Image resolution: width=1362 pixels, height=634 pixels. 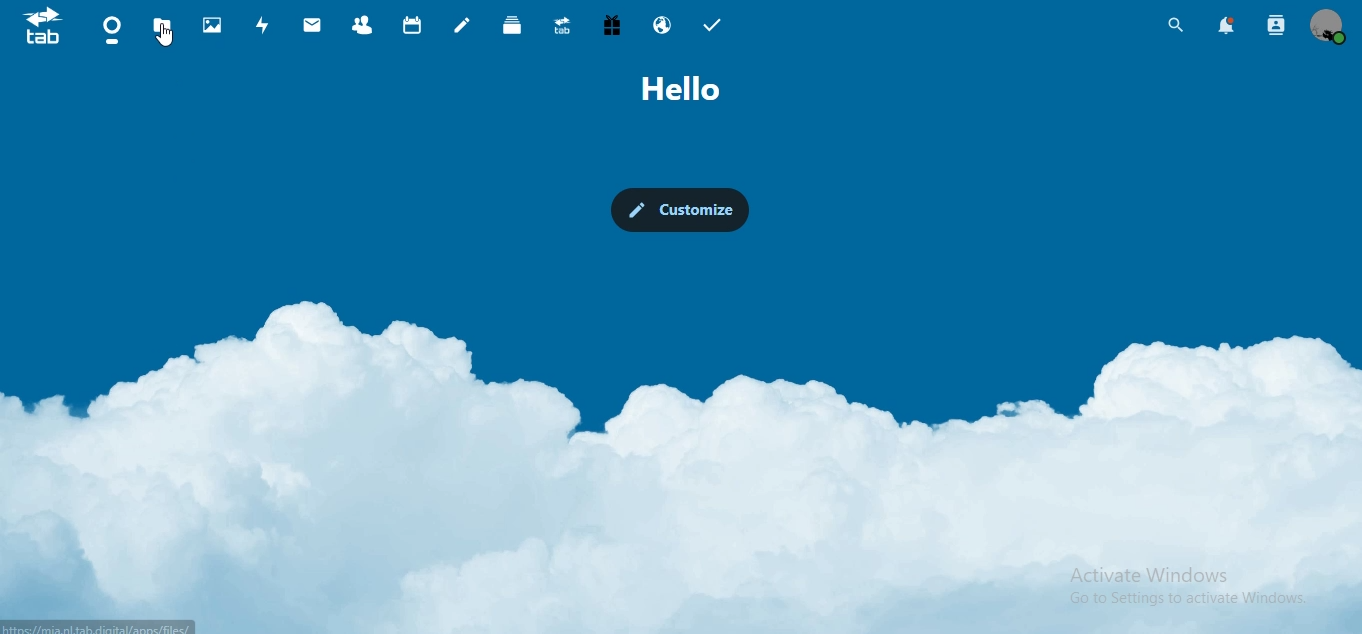 I want to click on icon, so click(x=42, y=26).